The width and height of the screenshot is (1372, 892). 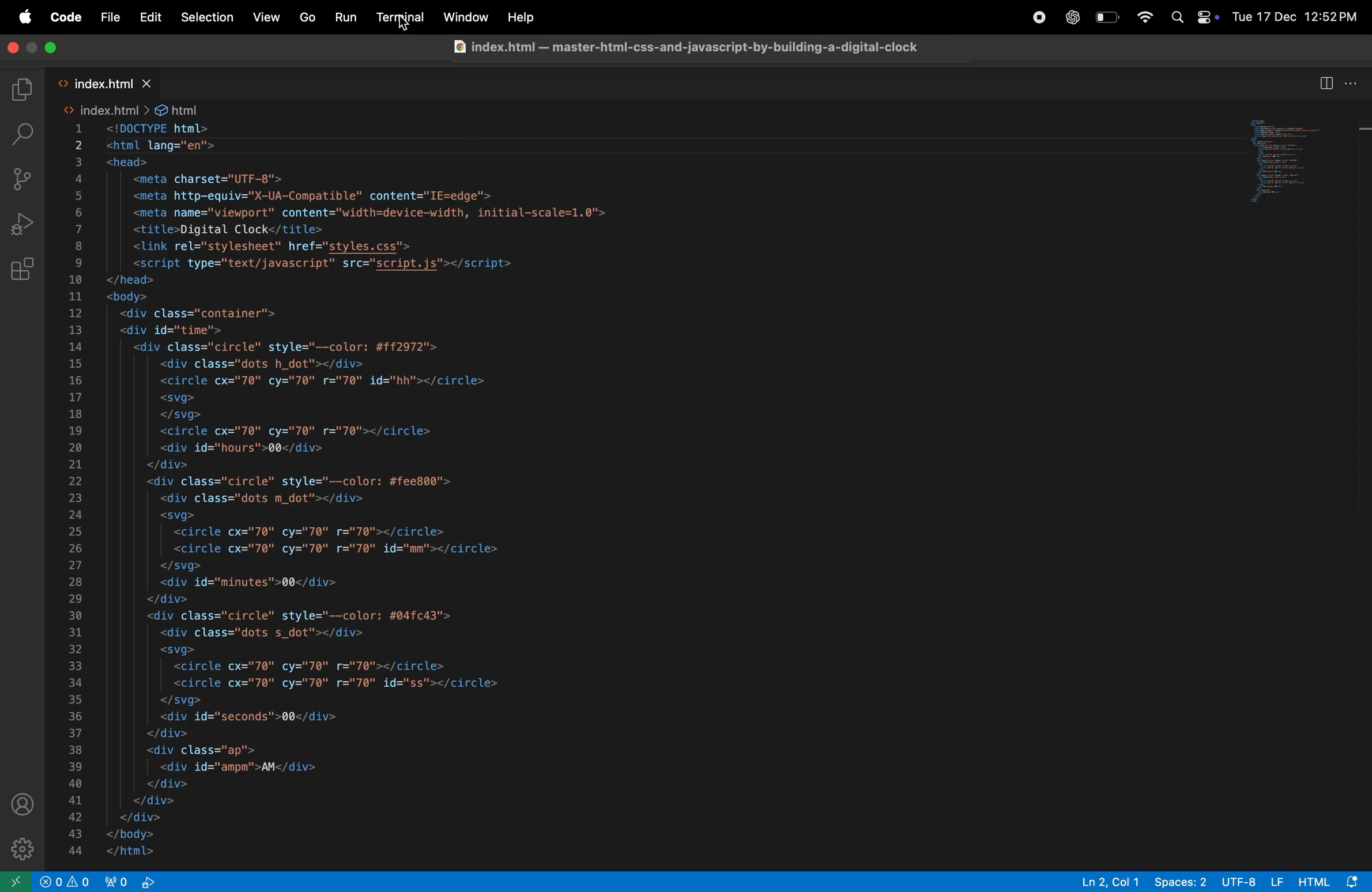 I want to click on <!DOCTYPE html>
<html lang="en">
<head>
<meta charset="UTF-8">
<meta http-equiv="X-UA-Compatible" content="IE=edge'>
<meta name="viewport" content="width=device-width, initial-scale=1.0">
<title>Digital Clock</title>
<link rel="stylesheet" href="styles.css">
<script type="text/javascript" src="script.js"></script>
</head>
<body>
<div class="container">
<div id="time">
<div class="circle" style="--color: #ff2972">
<div class="dots h_dot"></div>
<circle cx="70" cy="70" r="70" id="hh"></circle>
<svg>
</svg>
<circle cx="70" cy="70" r="70"></circle>
<div id="hours">00</div>
</div>
<div class="circle" style="--color: #fee800">
<div class="dots m_dot"></div>
<svg>
<circle cx="70" cy="70" r="70"></circle>
<circle cx="70" cy="70" r="70" id="mm"></circle>
</svg>
<div id="minutes">00</div>
</div>
<div class="circle" style="--color: #04fc43">
<div class="dots s_dot"></div>
<svg>
<circle cx="70" cy="70" r="70"></circle>
<circle cx="70" cy="70" r="70" id="ss"></circle>
</svg>
<div id="seconds">00</div>
</div>
<div class="ap">
<div id="ampm">AM</div>
</div>
</div>
</div>
</body>
</html>, so click(x=355, y=490).